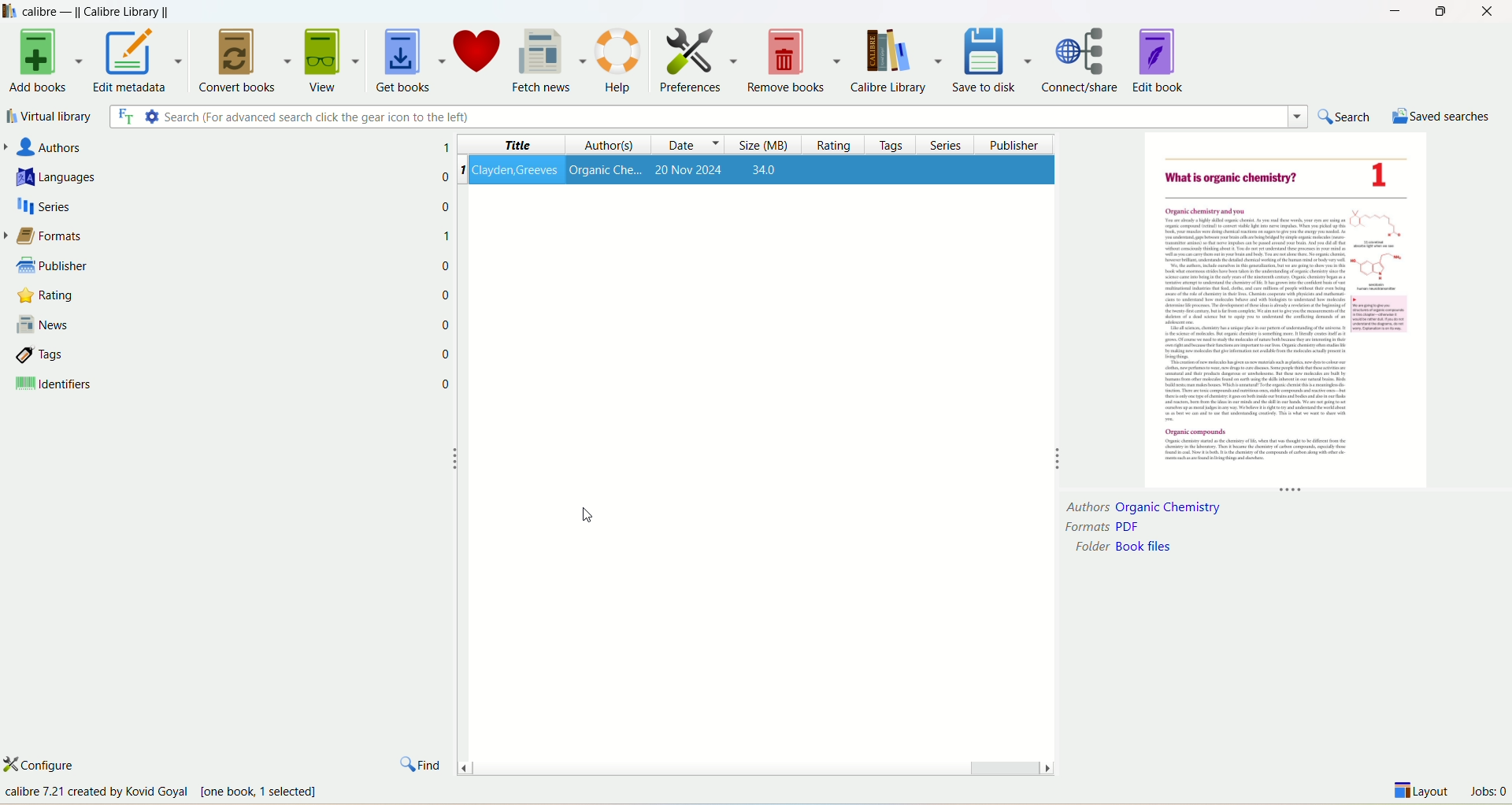 This screenshot has width=1512, height=805. Describe the element at coordinates (211, 387) in the screenshot. I see `identifiers` at that location.